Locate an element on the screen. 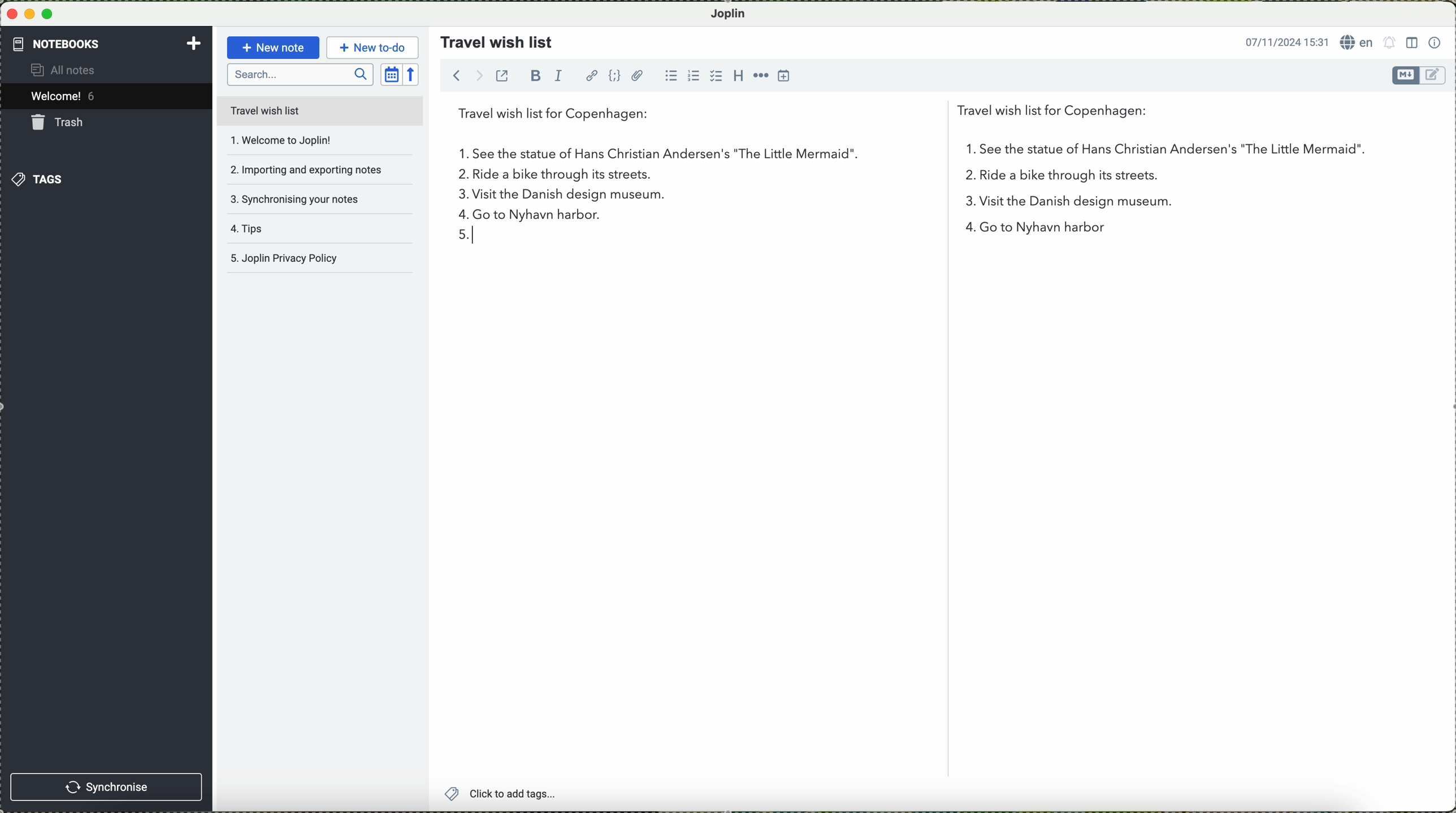 The width and height of the screenshot is (1456, 813). toggle sort order field is located at coordinates (391, 73).